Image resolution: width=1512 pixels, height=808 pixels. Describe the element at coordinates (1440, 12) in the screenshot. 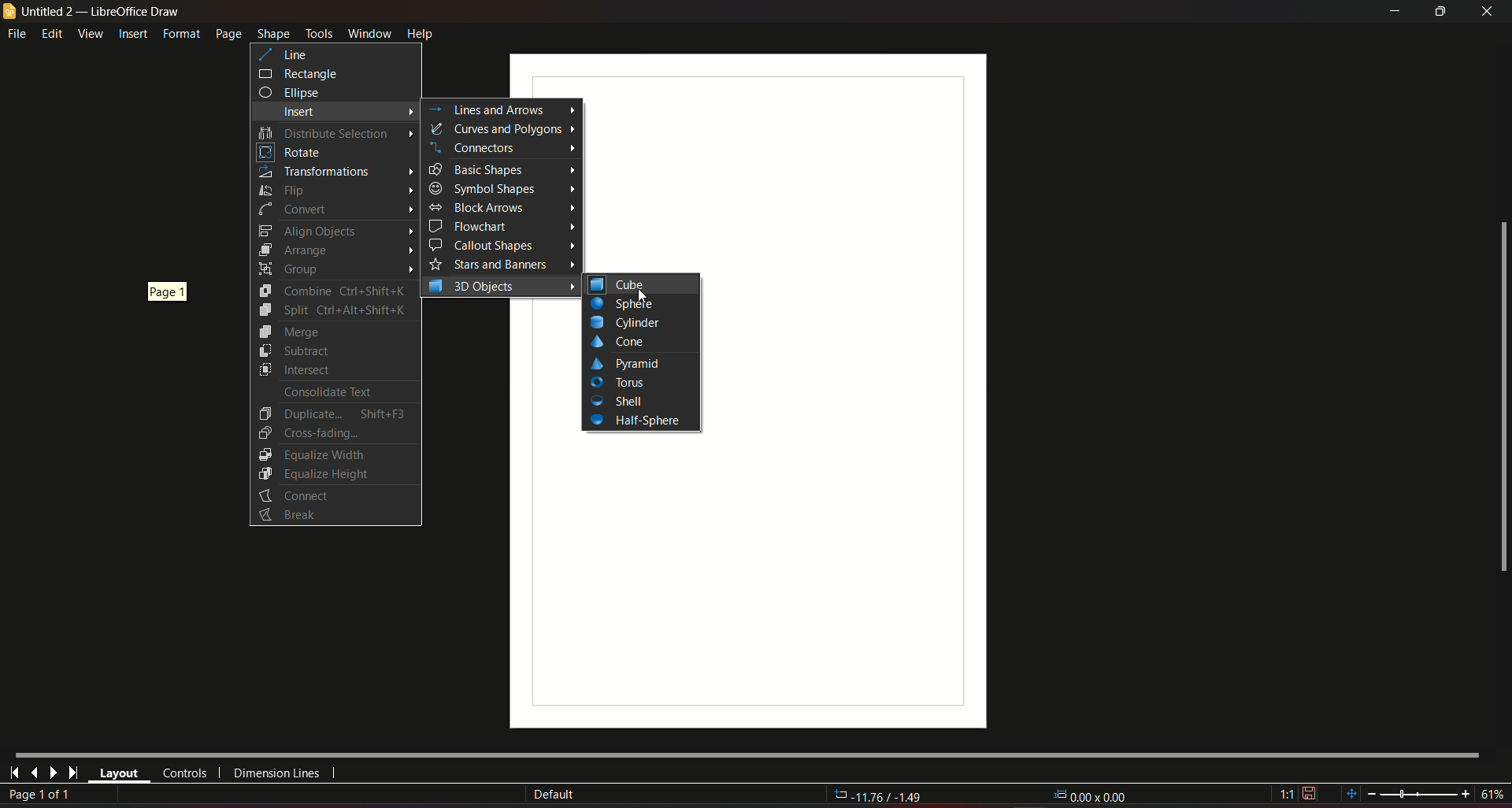

I see `minimize/maximize` at that location.